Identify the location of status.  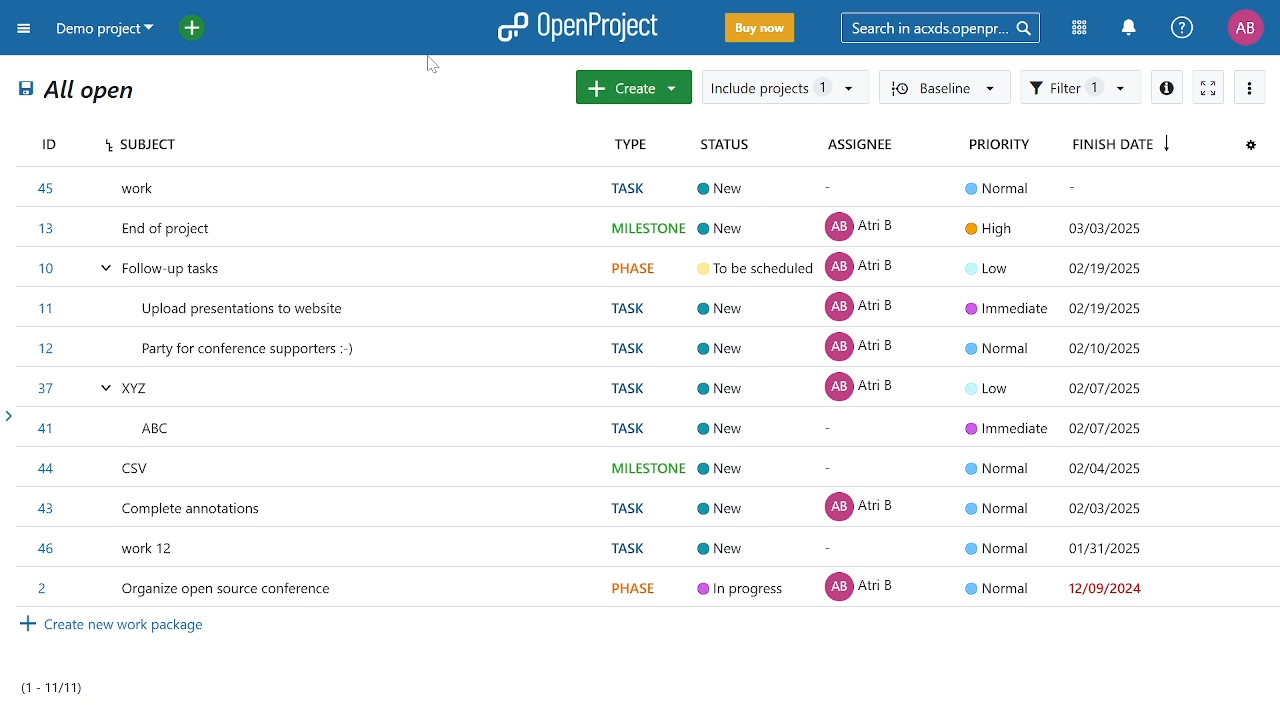
(730, 145).